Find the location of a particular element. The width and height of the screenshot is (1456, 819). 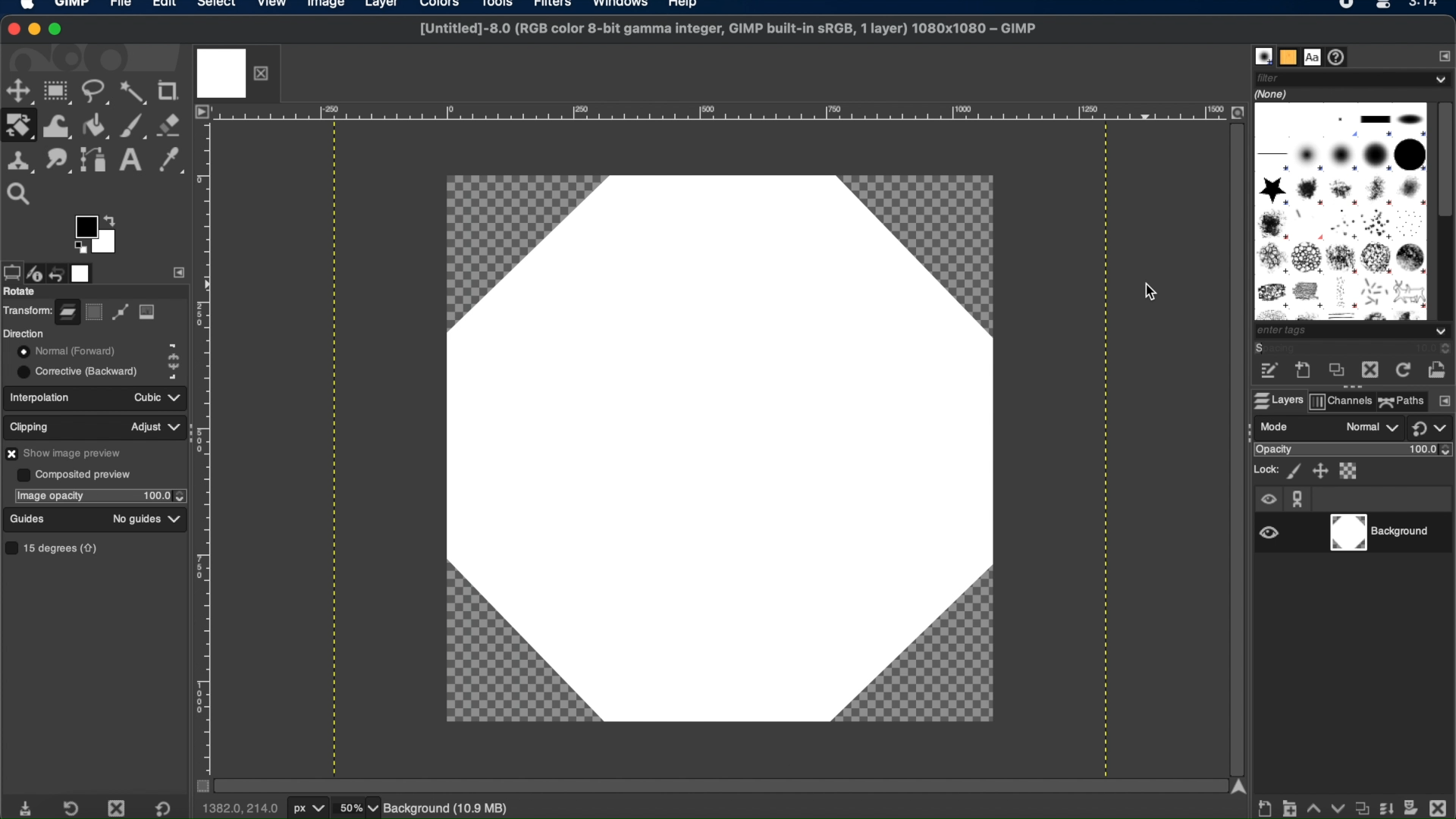

recorder icon is located at coordinates (1345, 6).